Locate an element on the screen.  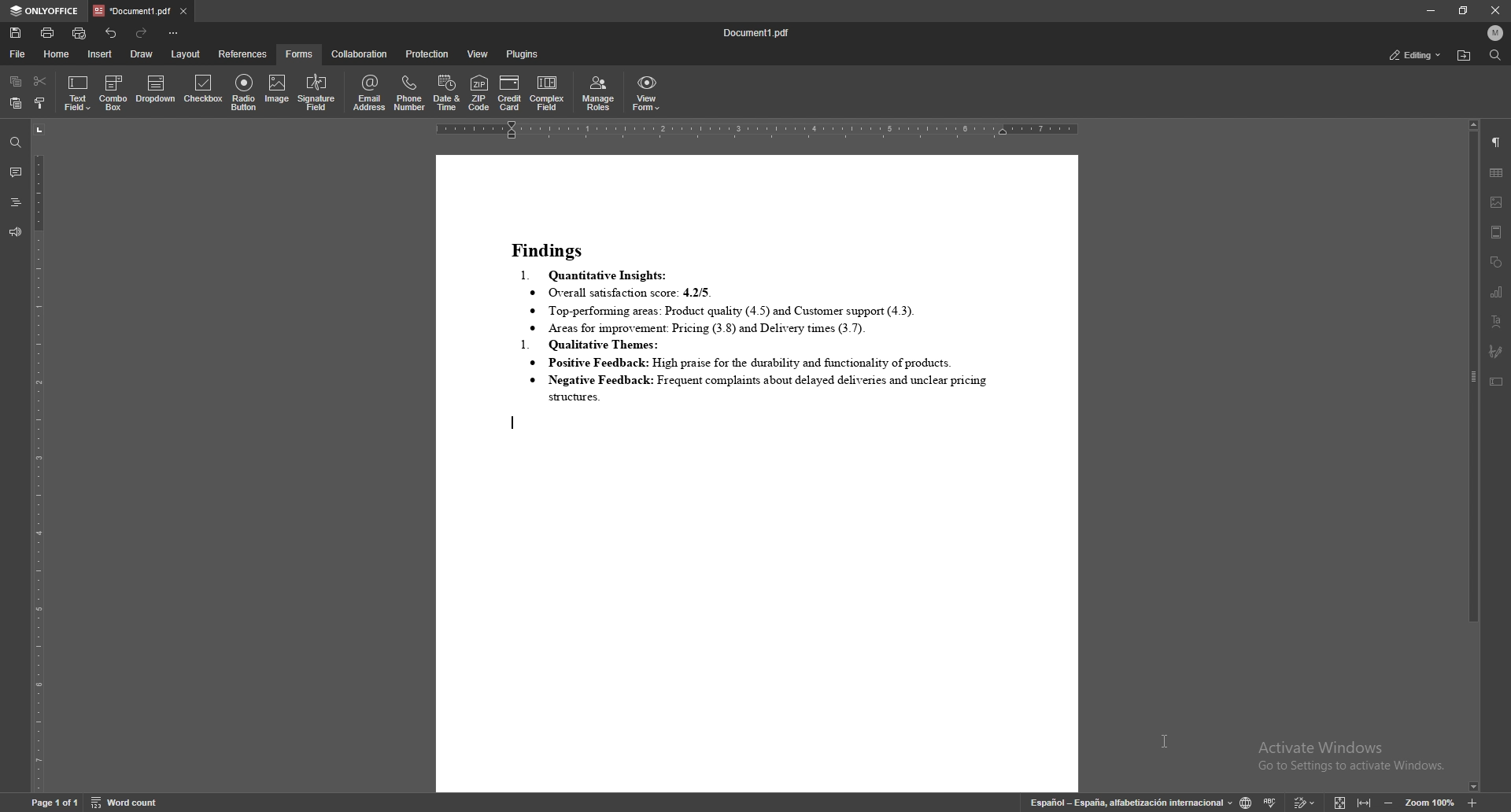
track changes is located at coordinates (1303, 804).